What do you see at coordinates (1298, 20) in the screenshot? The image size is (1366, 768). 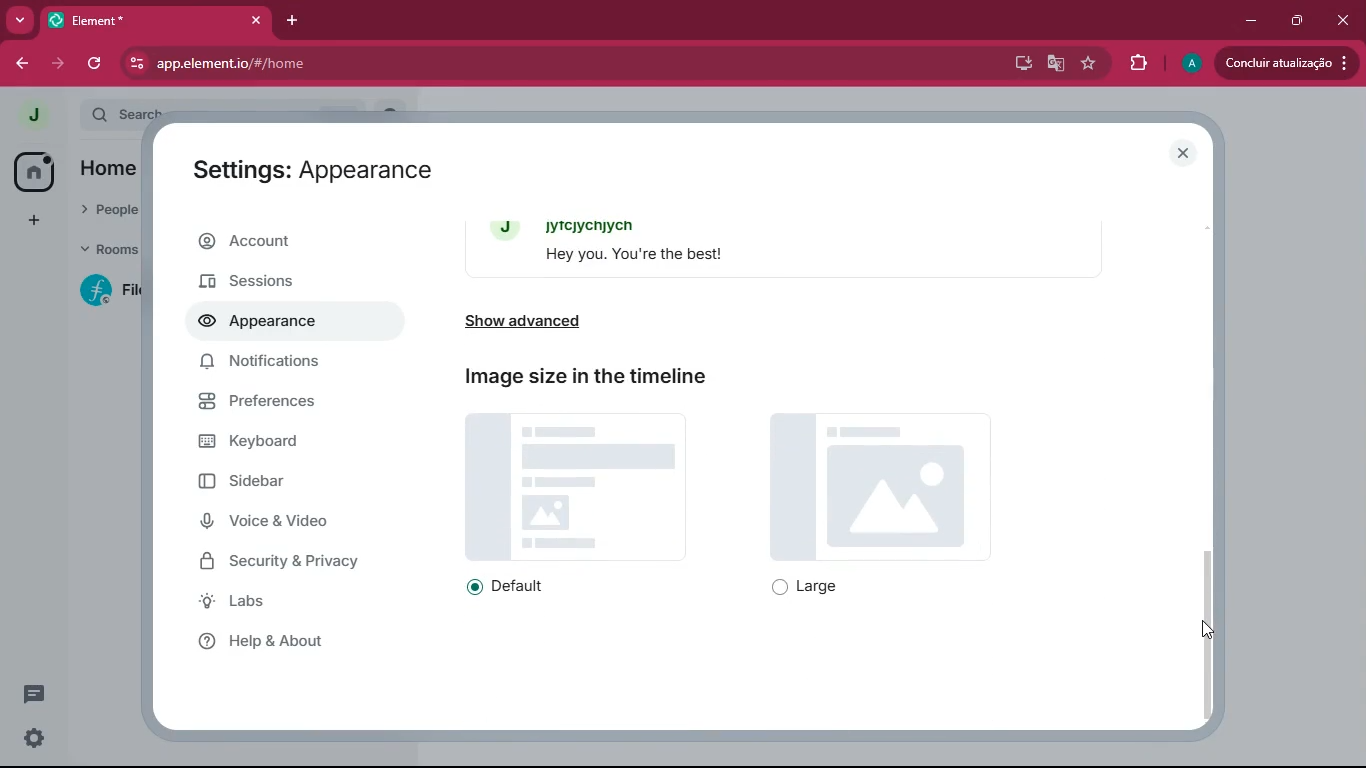 I see `maximize` at bounding box center [1298, 20].